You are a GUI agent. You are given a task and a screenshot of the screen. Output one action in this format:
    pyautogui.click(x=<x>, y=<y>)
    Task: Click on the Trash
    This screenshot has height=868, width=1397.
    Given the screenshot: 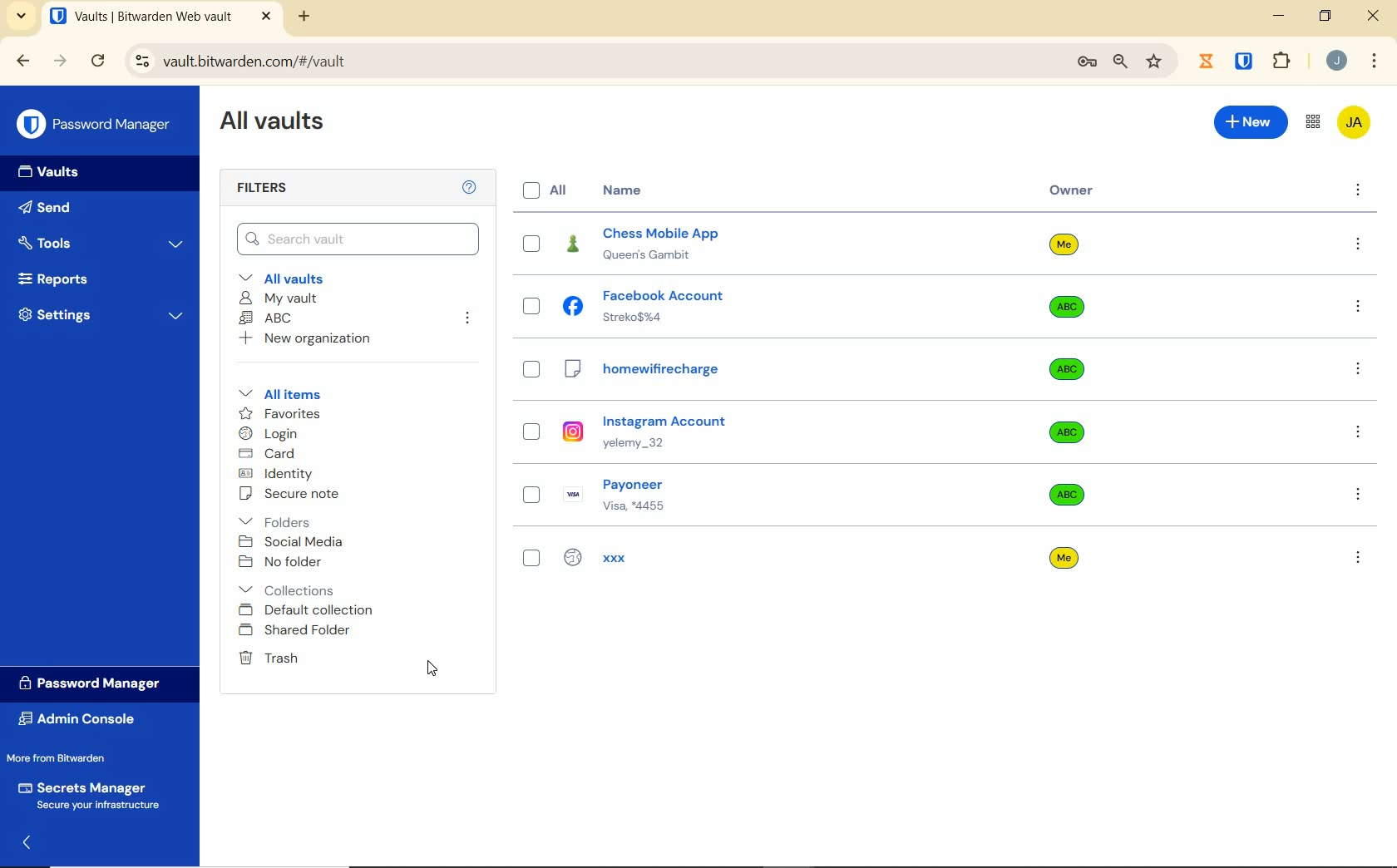 What is the action you would take?
    pyautogui.click(x=269, y=657)
    